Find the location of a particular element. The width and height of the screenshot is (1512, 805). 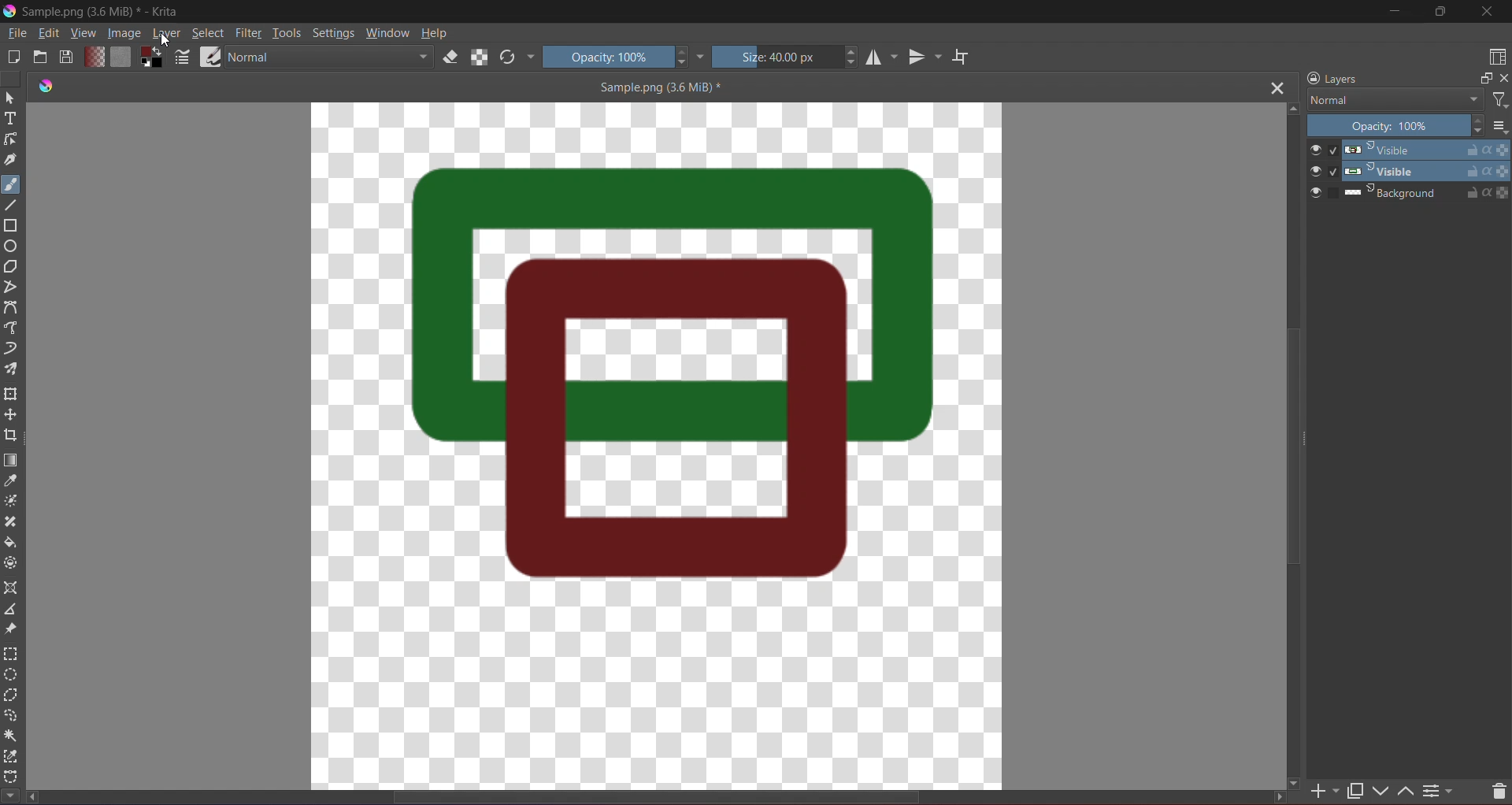

Choose Workspace is located at coordinates (1495, 58).